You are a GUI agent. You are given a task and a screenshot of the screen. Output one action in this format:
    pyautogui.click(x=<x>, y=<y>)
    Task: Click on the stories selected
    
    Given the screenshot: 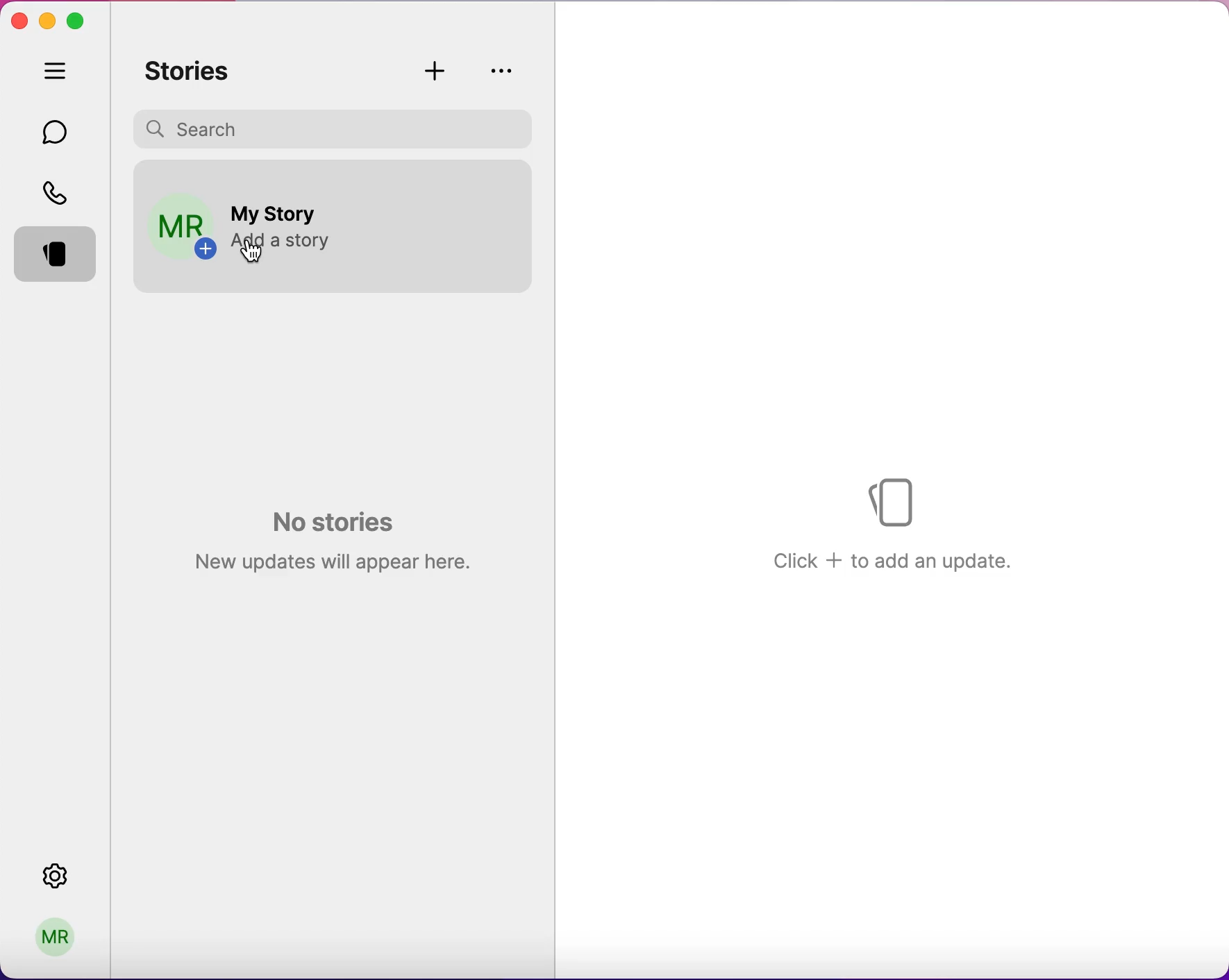 What is the action you would take?
    pyautogui.click(x=58, y=257)
    